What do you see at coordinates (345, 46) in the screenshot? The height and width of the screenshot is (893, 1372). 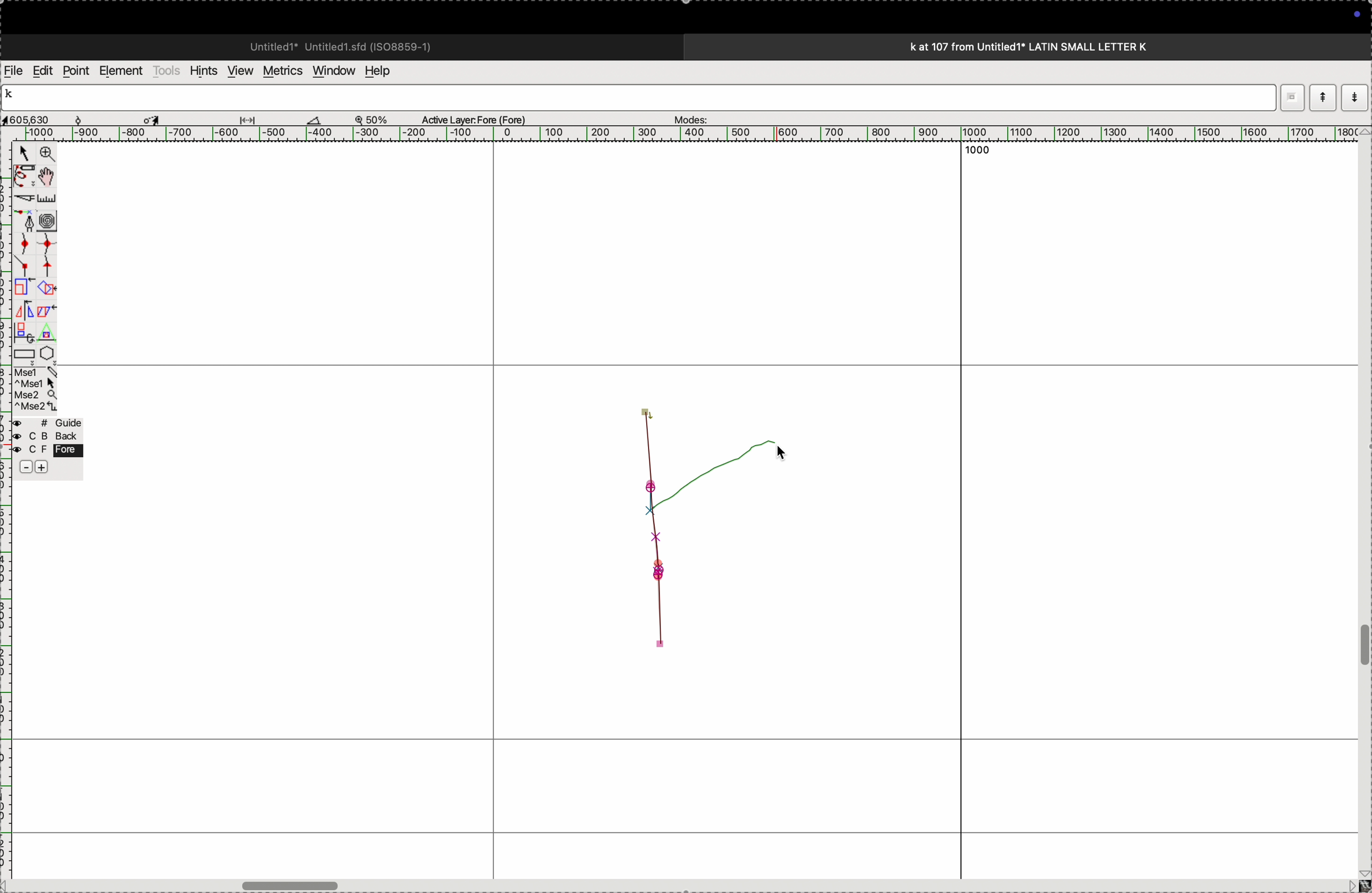 I see `untitled std` at bounding box center [345, 46].